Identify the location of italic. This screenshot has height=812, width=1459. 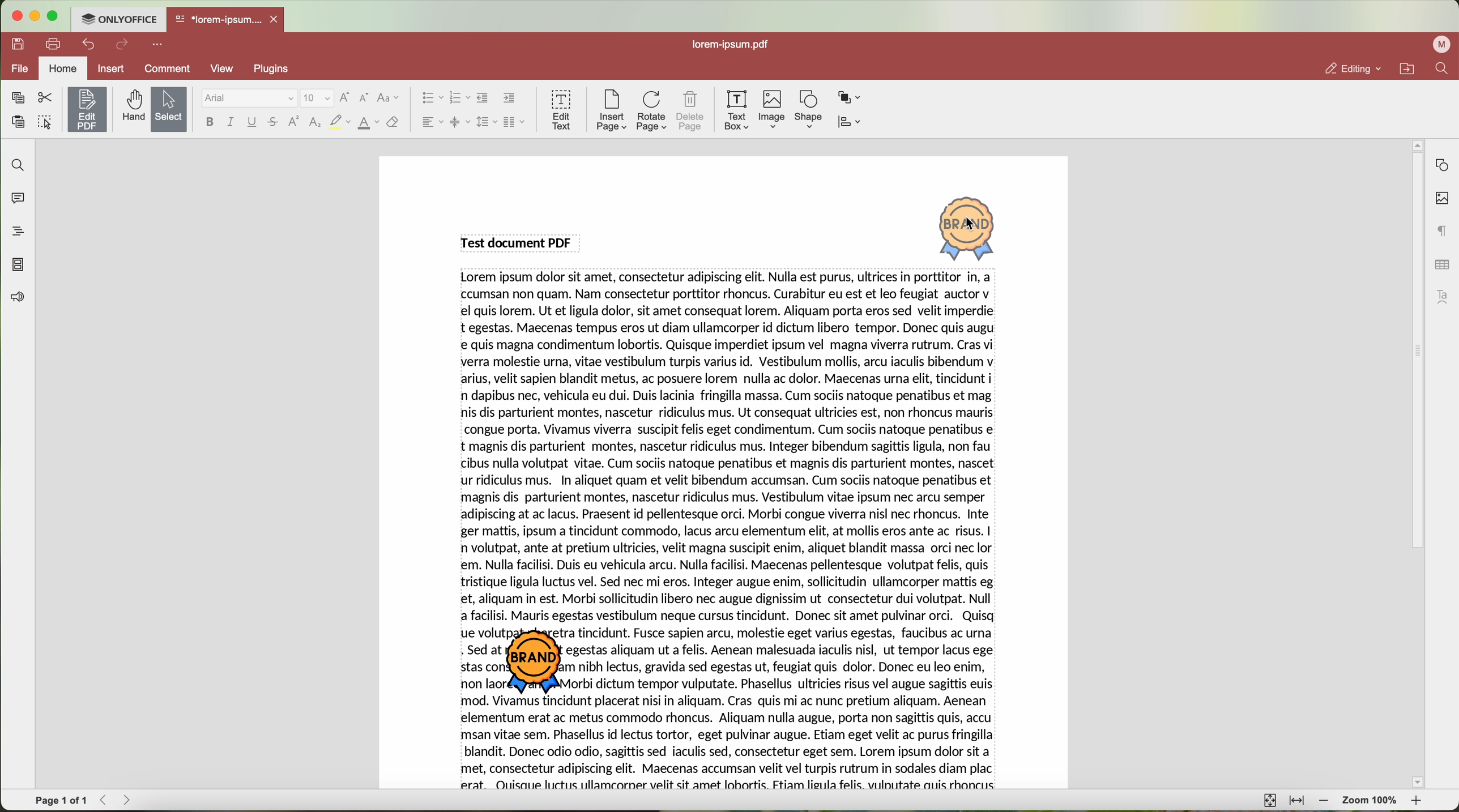
(231, 122).